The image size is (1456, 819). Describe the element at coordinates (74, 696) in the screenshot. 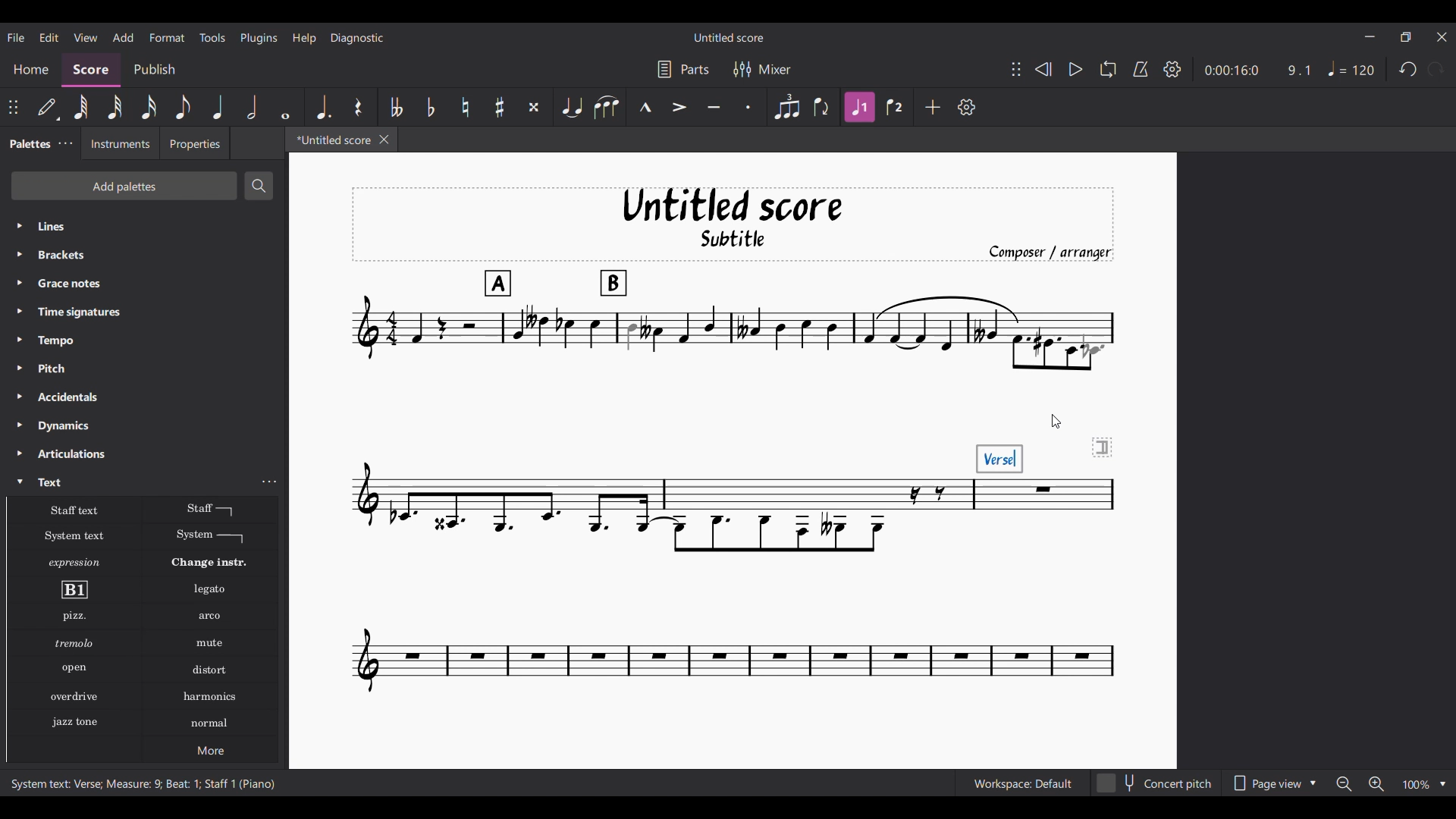

I see `Overdrive` at that location.